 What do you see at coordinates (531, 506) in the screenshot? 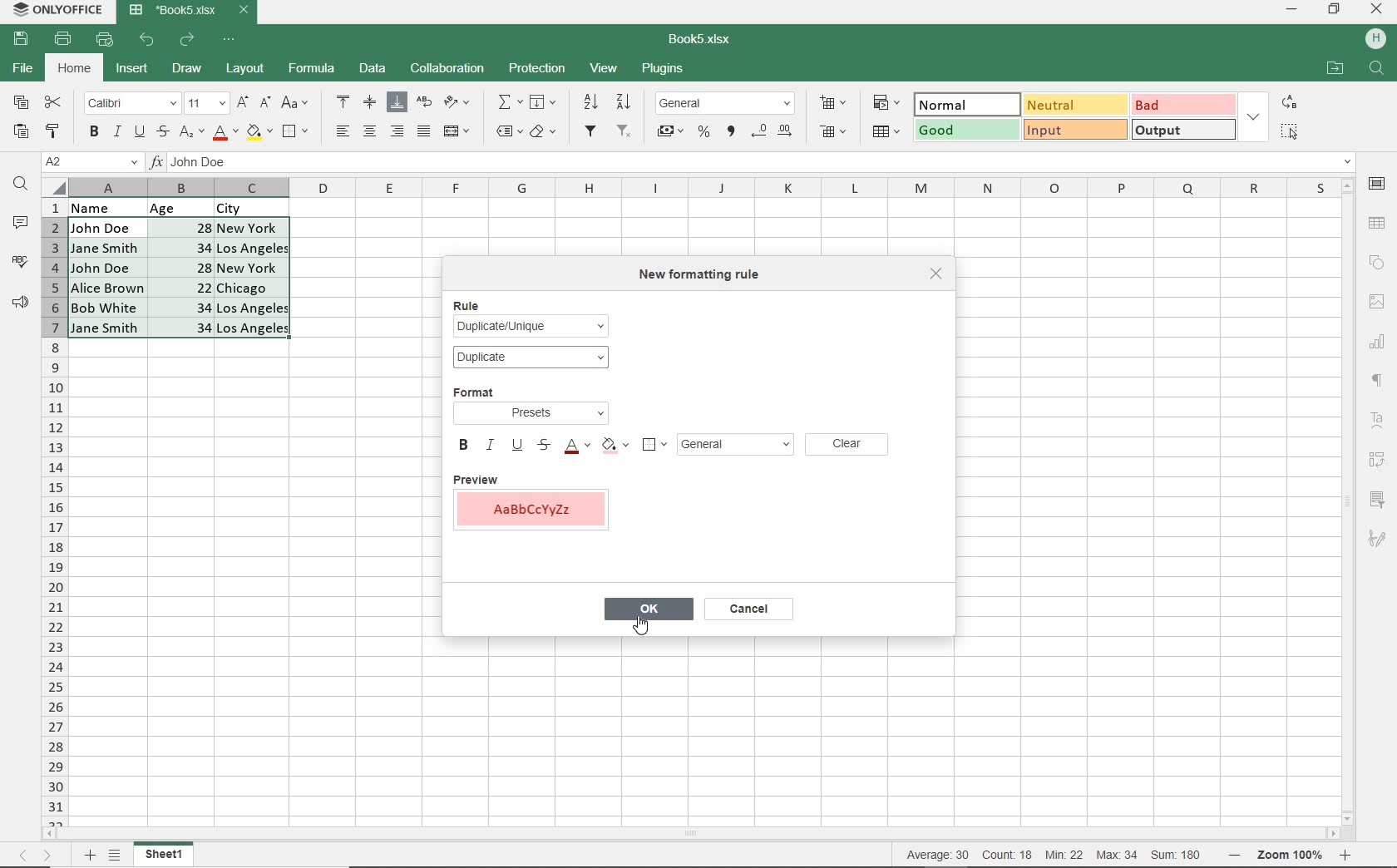
I see `PREVIEW` at bounding box center [531, 506].